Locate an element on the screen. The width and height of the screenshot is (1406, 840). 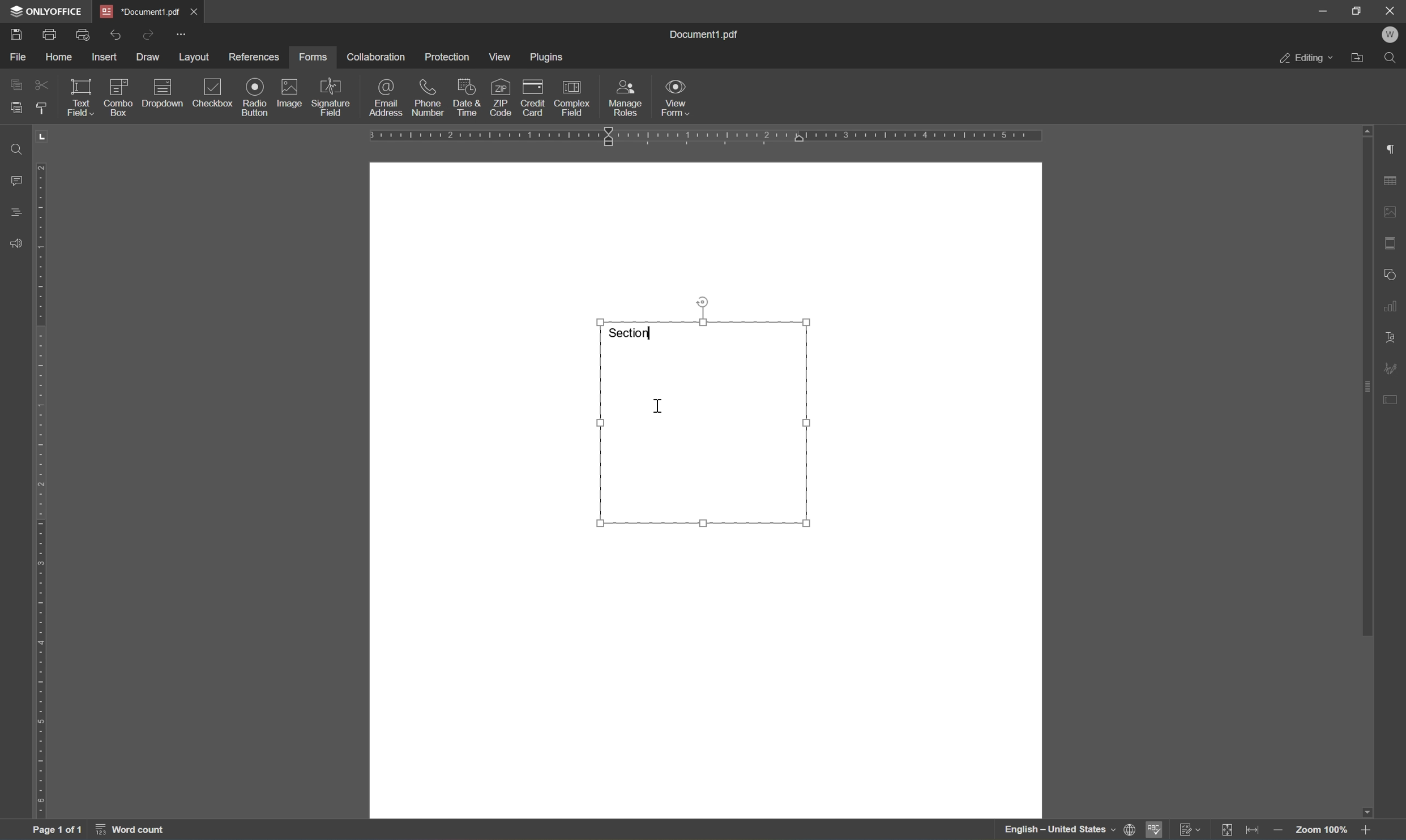
references is located at coordinates (253, 58).